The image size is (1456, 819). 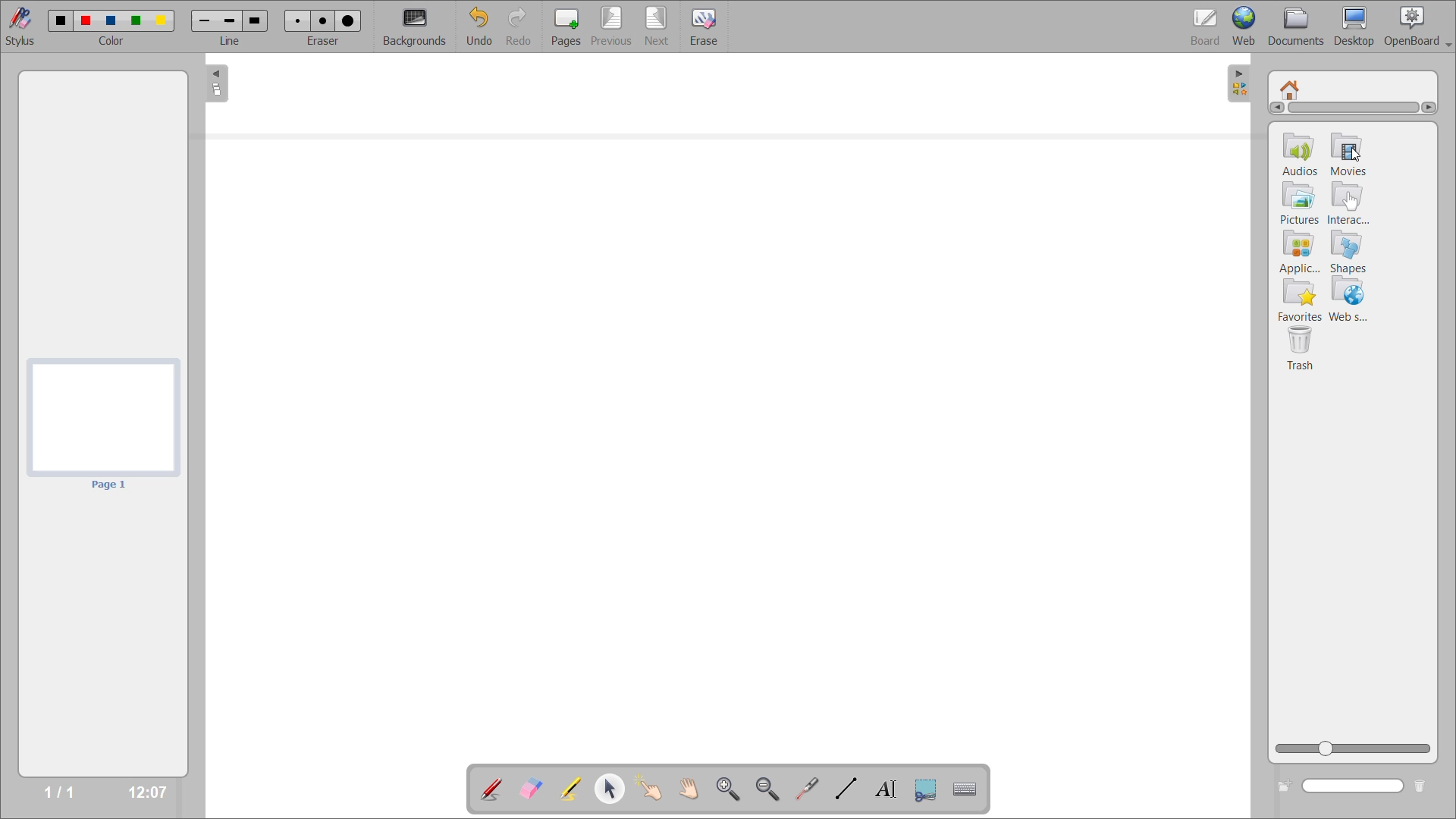 What do you see at coordinates (58, 794) in the screenshot?
I see `1/1` at bounding box center [58, 794].